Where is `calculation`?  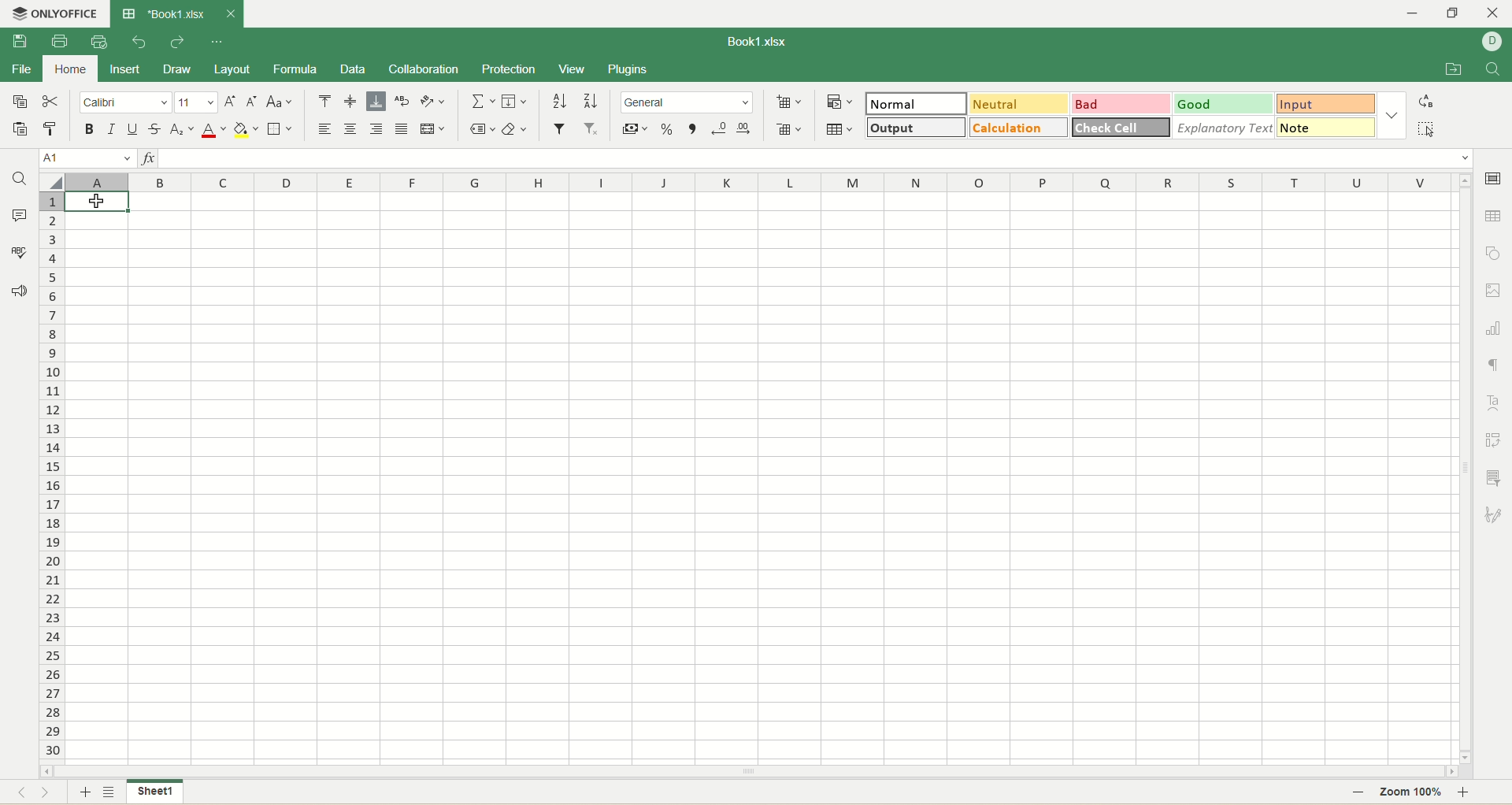 calculation is located at coordinates (1015, 128).